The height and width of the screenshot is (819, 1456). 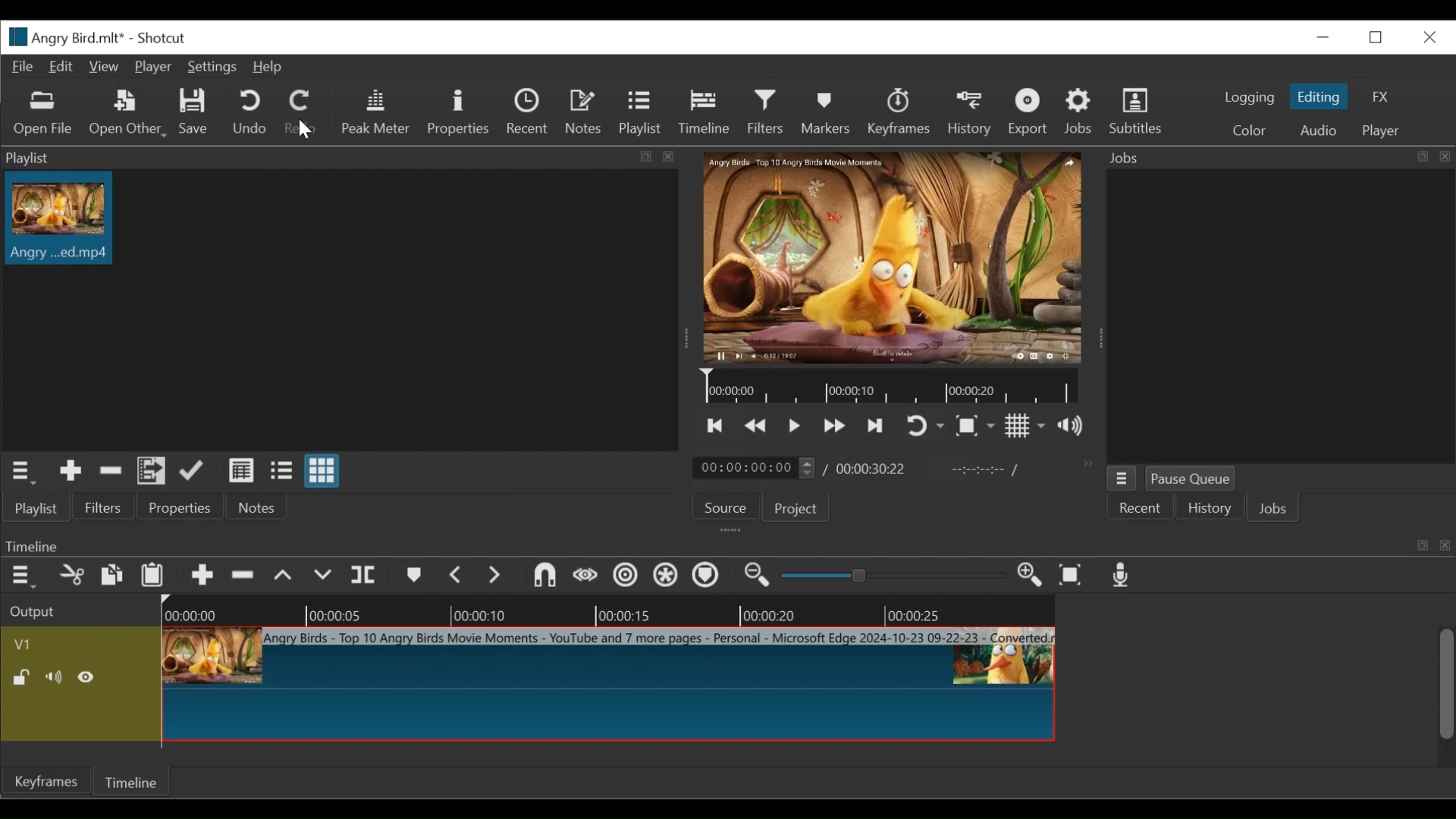 I want to click on Clip, so click(x=609, y=683).